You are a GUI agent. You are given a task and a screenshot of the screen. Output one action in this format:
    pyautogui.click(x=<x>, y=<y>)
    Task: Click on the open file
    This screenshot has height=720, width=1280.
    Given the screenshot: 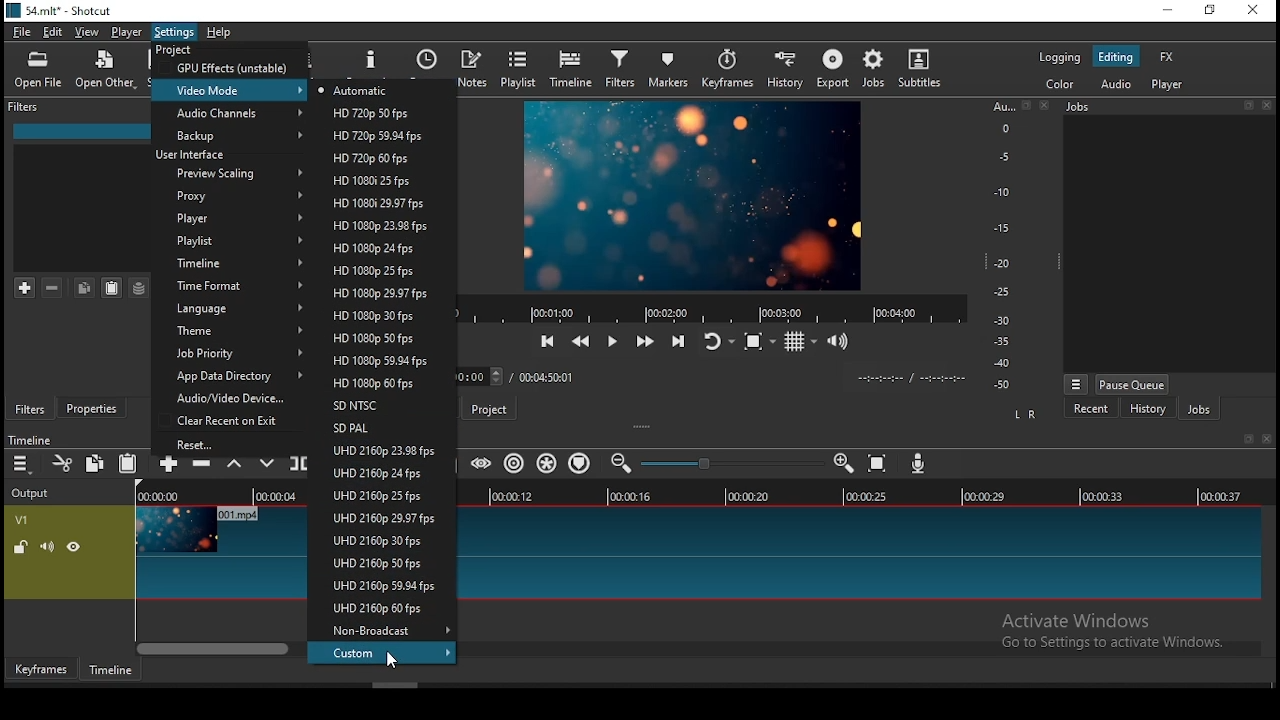 What is the action you would take?
    pyautogui.click(x=38, y=73)
    